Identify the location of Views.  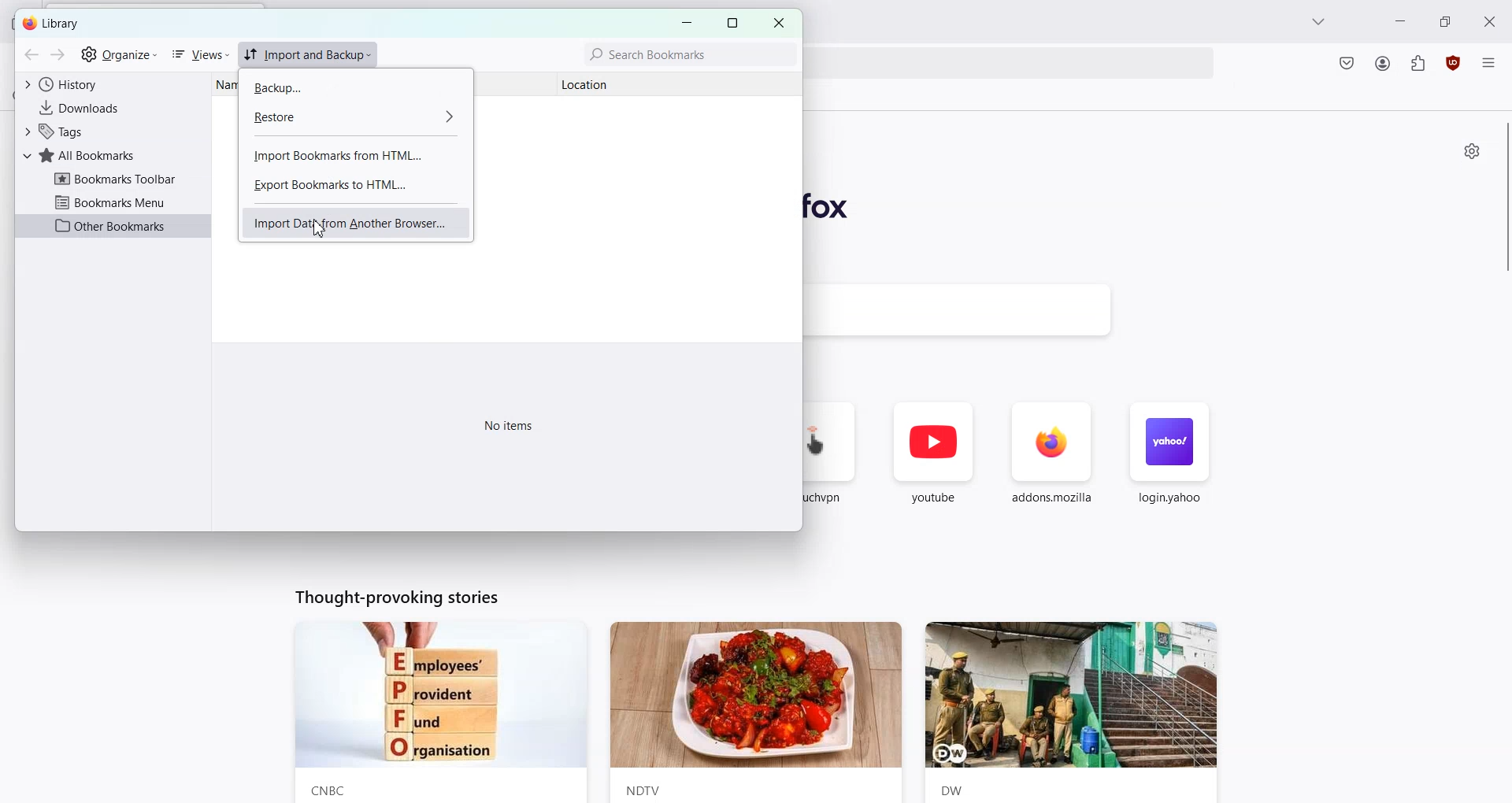
(198, 55).